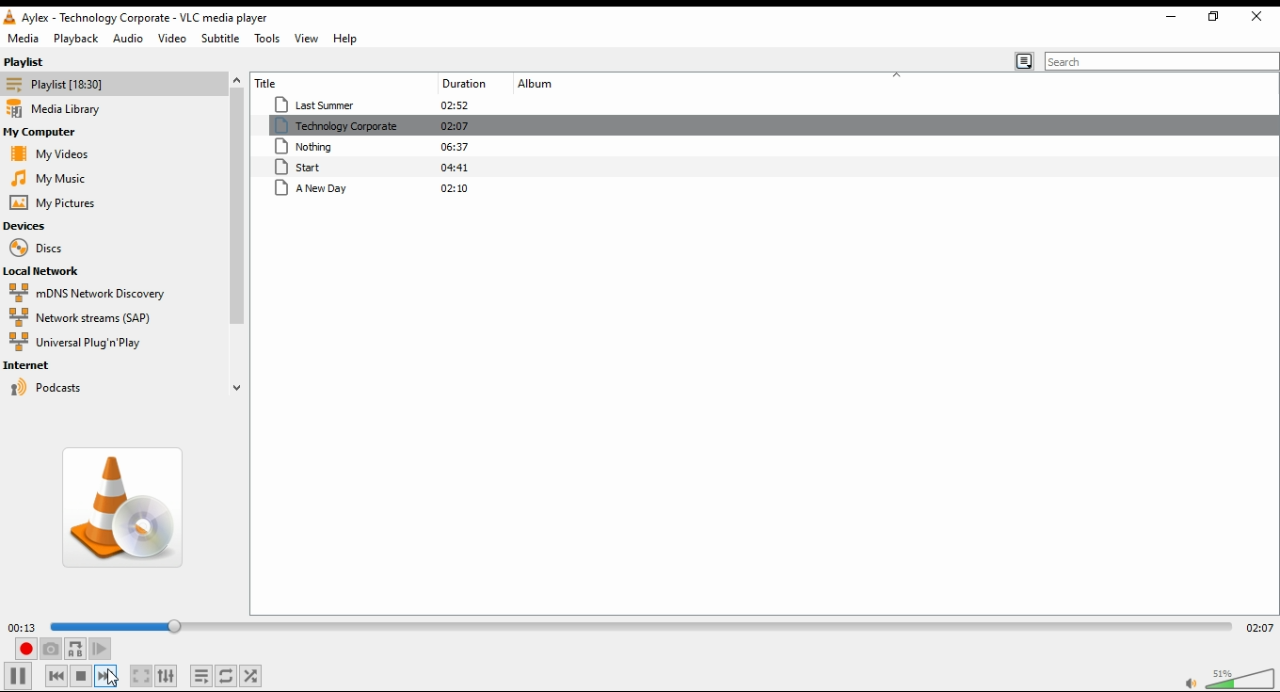 The width and height of the screenshot is (1280, 692). Describe the element at coordinates (48, 204) in the screenshot. I see `my pictures` at that location.